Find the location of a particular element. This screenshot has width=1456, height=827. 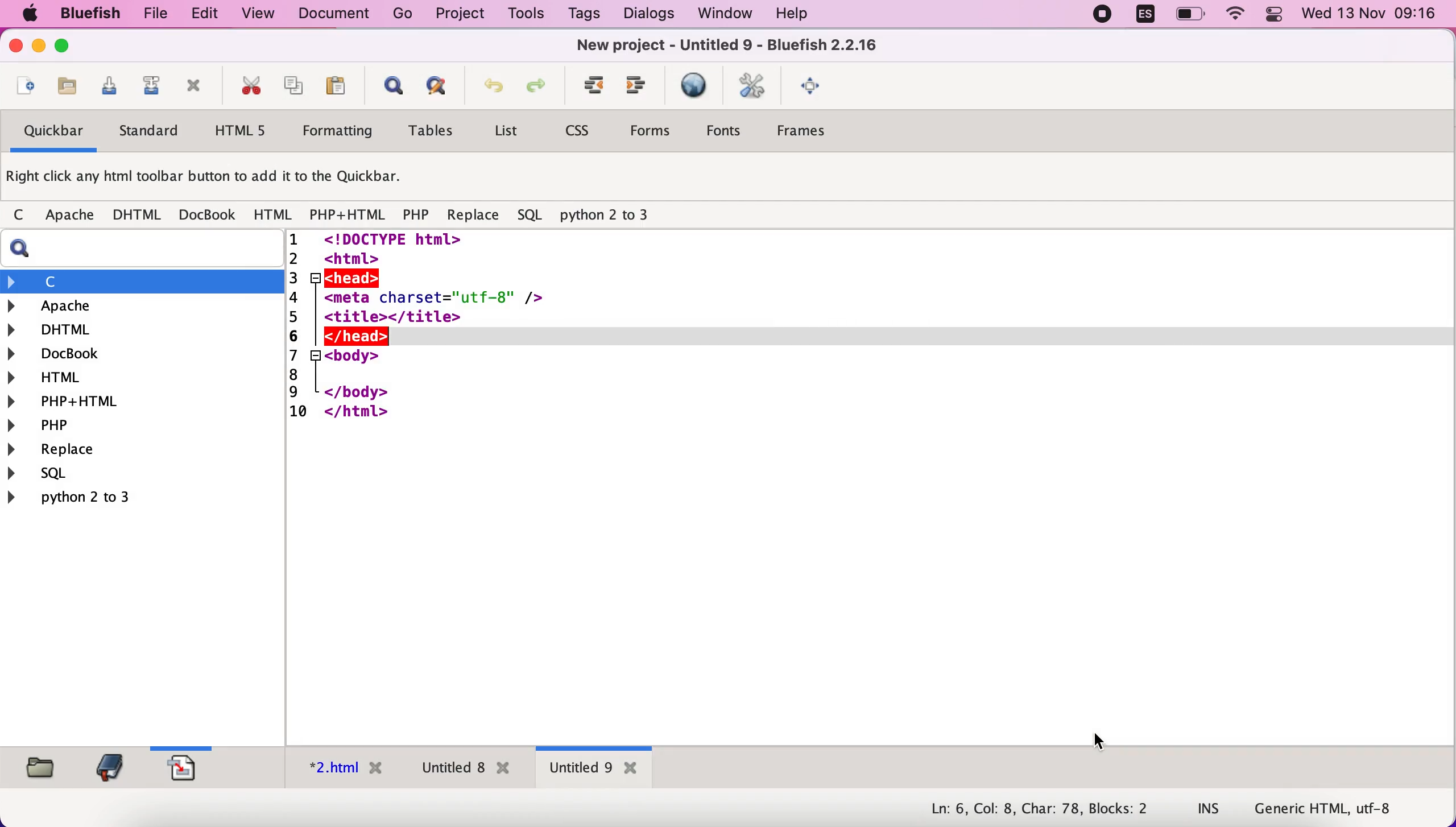

c is located at coordinates (18, 216).